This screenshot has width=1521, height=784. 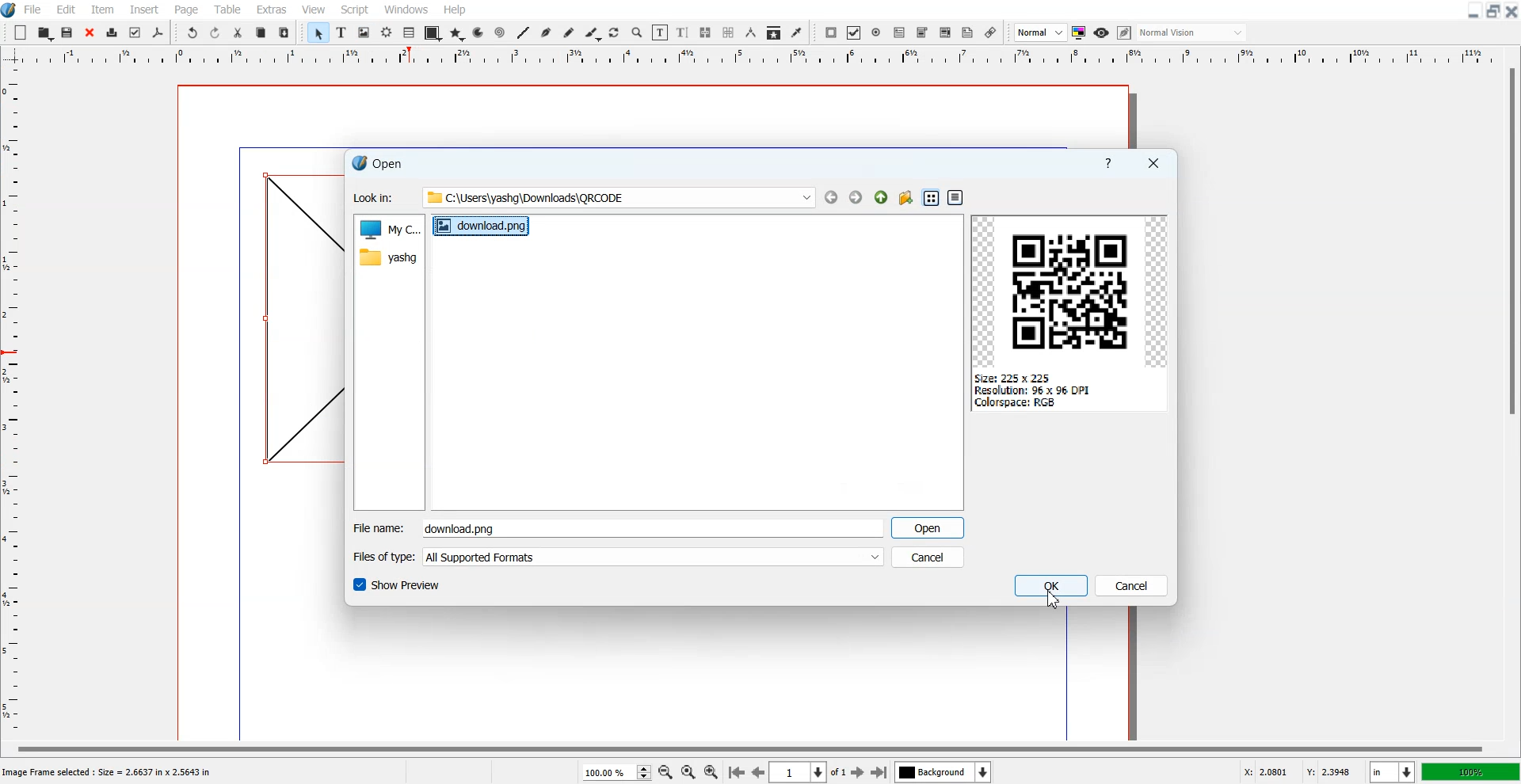 What do you see at coordinates (796, 32) in the screenshot?
I see `Eye Dropper` at bounding box center [796, 32].